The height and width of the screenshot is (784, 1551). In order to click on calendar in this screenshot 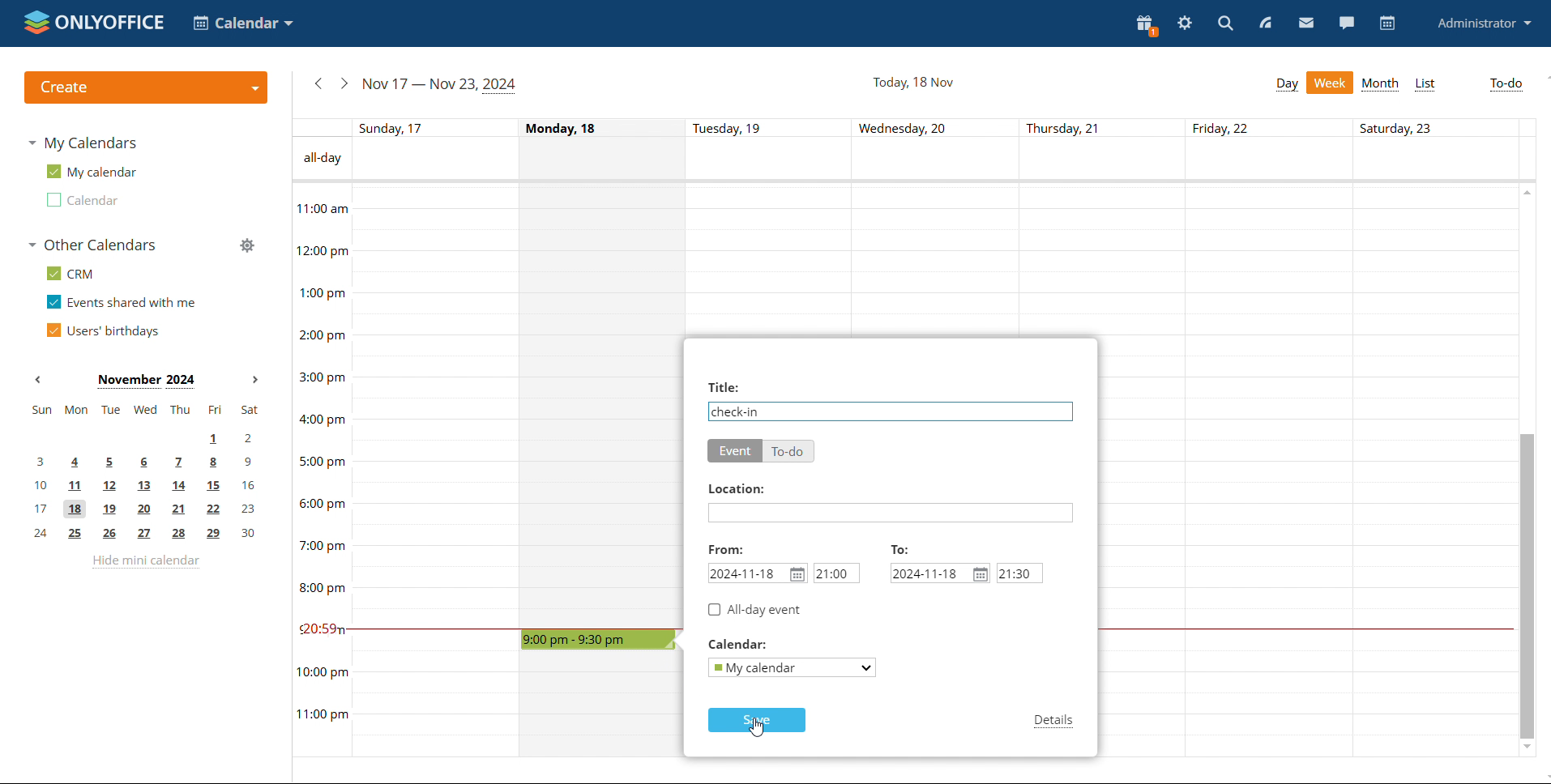, I will do `click(738, 645)`.